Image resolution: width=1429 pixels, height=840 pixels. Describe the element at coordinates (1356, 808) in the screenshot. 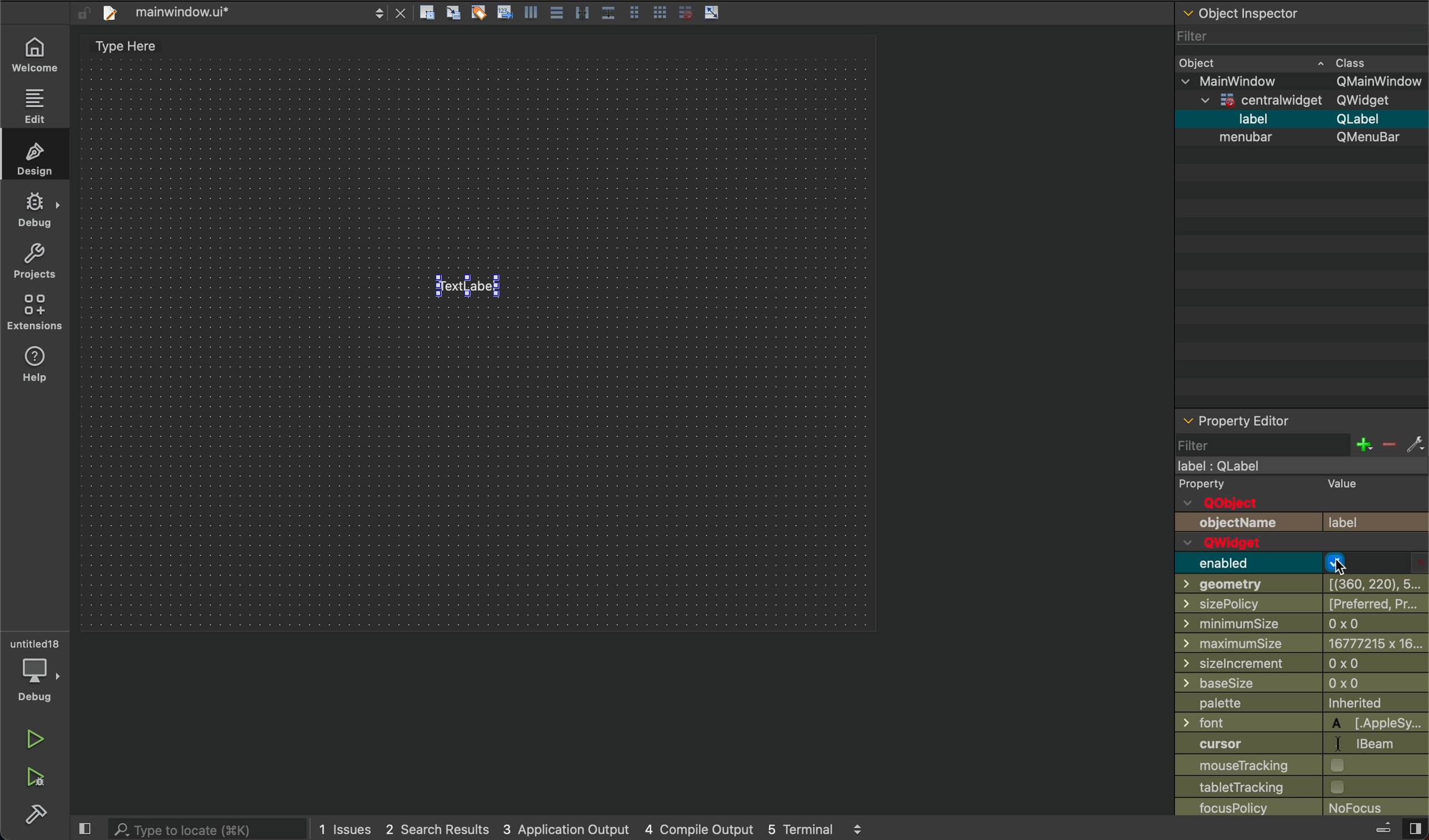

I see `no focus` at that location.